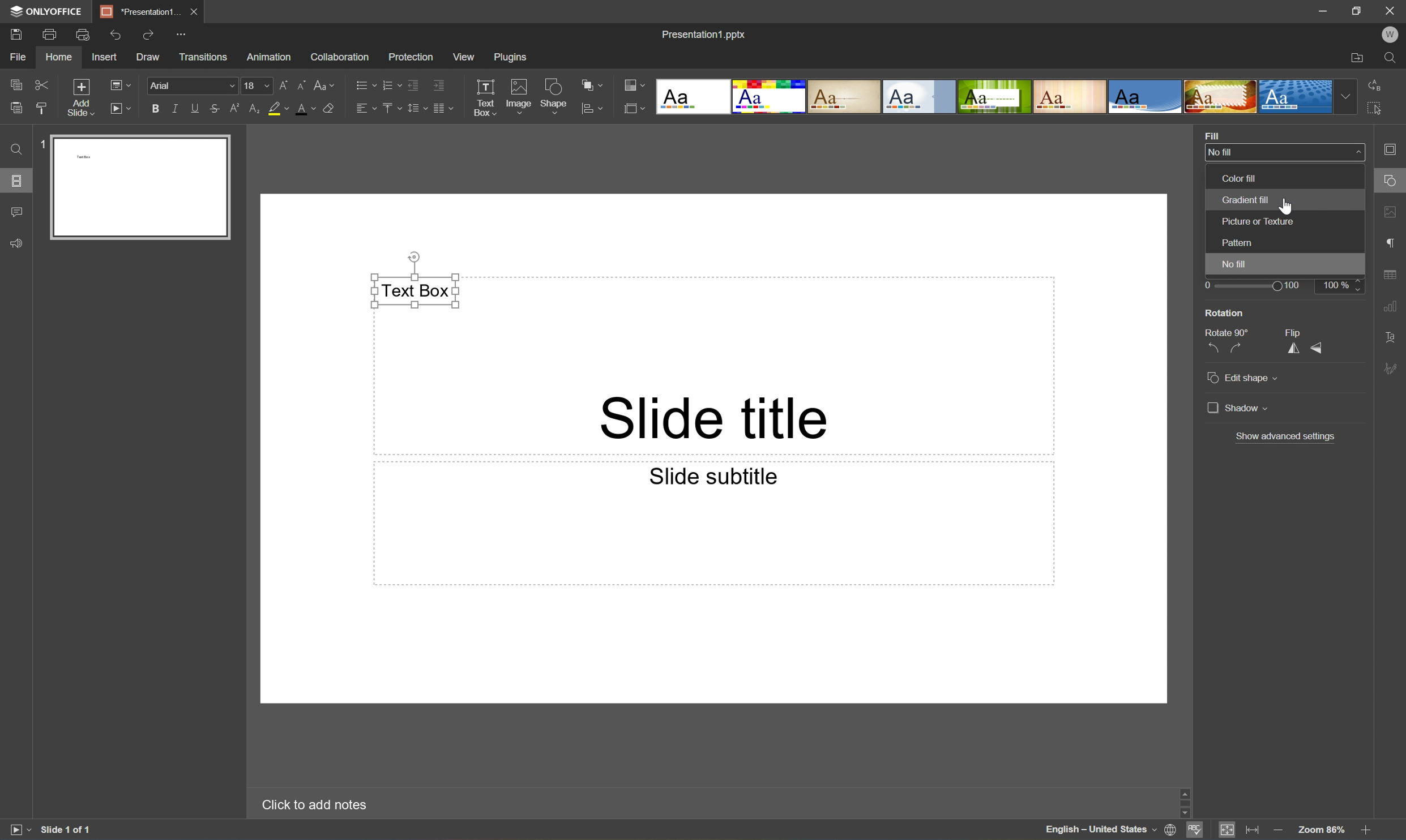 Image resolution: width=1406 pixels, height=840 pixels. Describe the element at coordinates (1391, 181) in the screenshot. I see `Cursor` at that location.